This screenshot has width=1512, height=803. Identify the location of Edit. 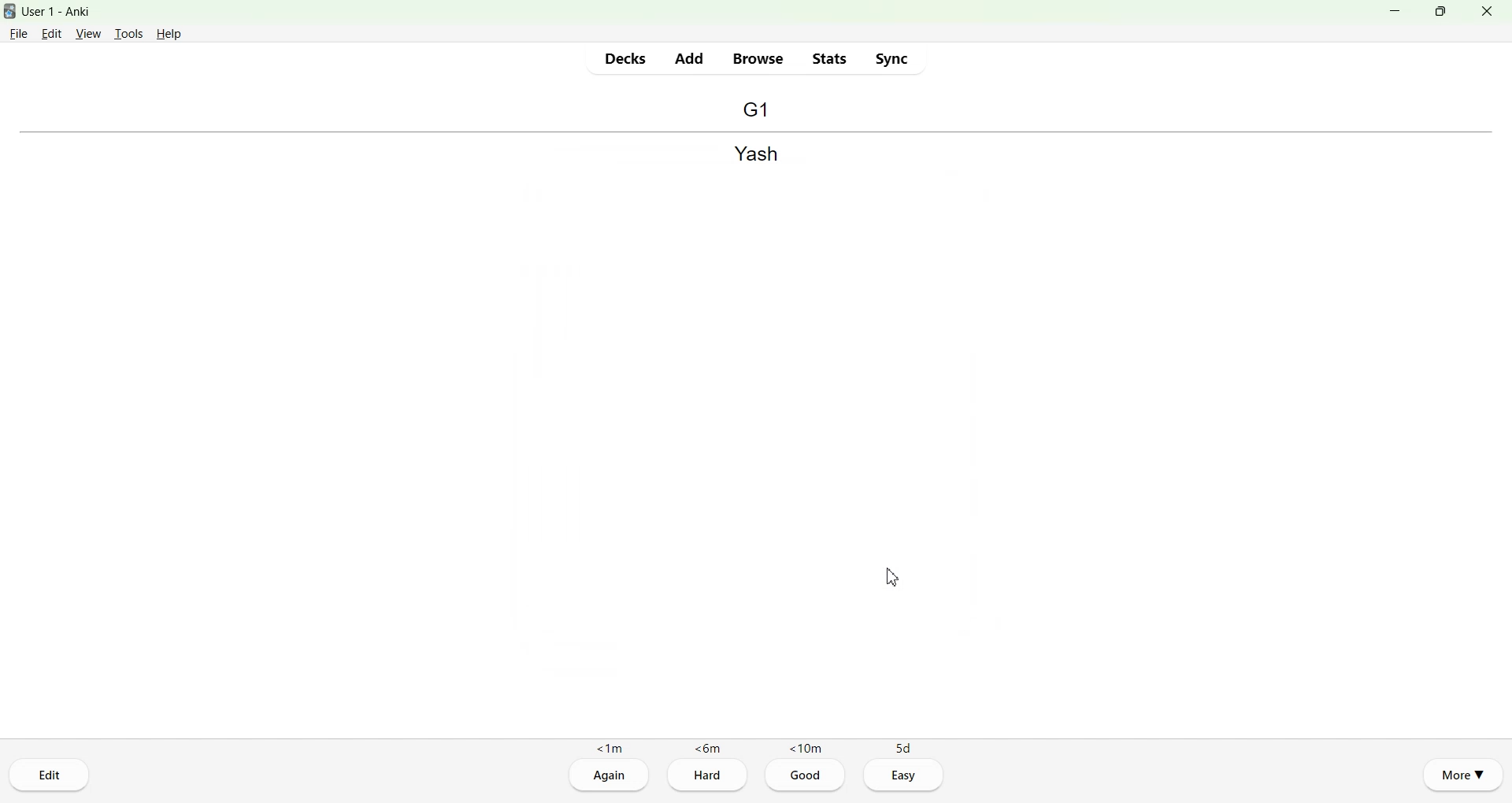
(50, 775).